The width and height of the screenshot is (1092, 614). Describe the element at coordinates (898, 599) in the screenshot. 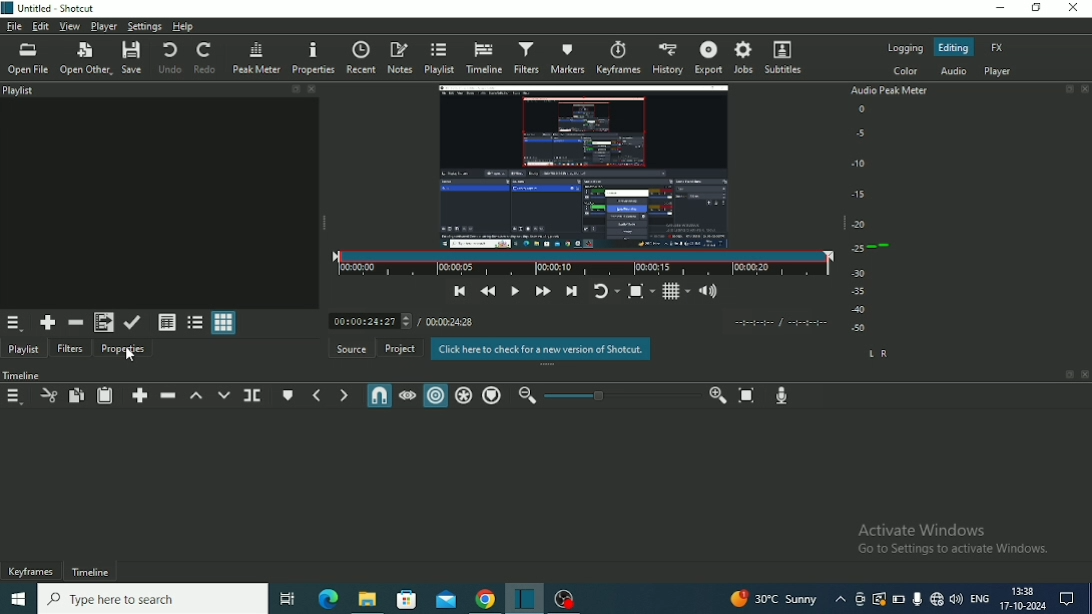

I see `Battery` at that location.